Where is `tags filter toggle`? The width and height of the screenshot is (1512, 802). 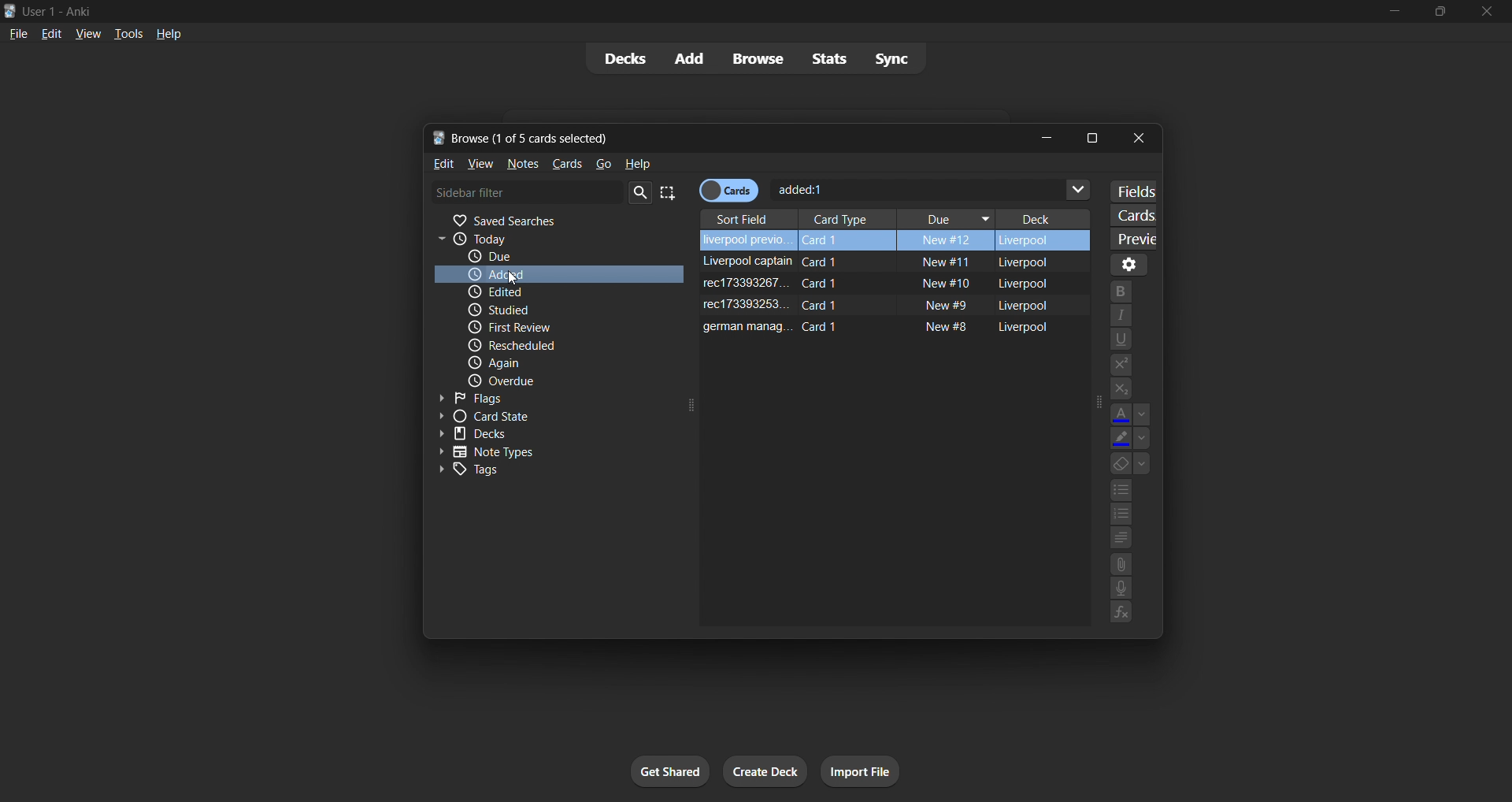 tags filter toggle is located at coordinates (547, 471).